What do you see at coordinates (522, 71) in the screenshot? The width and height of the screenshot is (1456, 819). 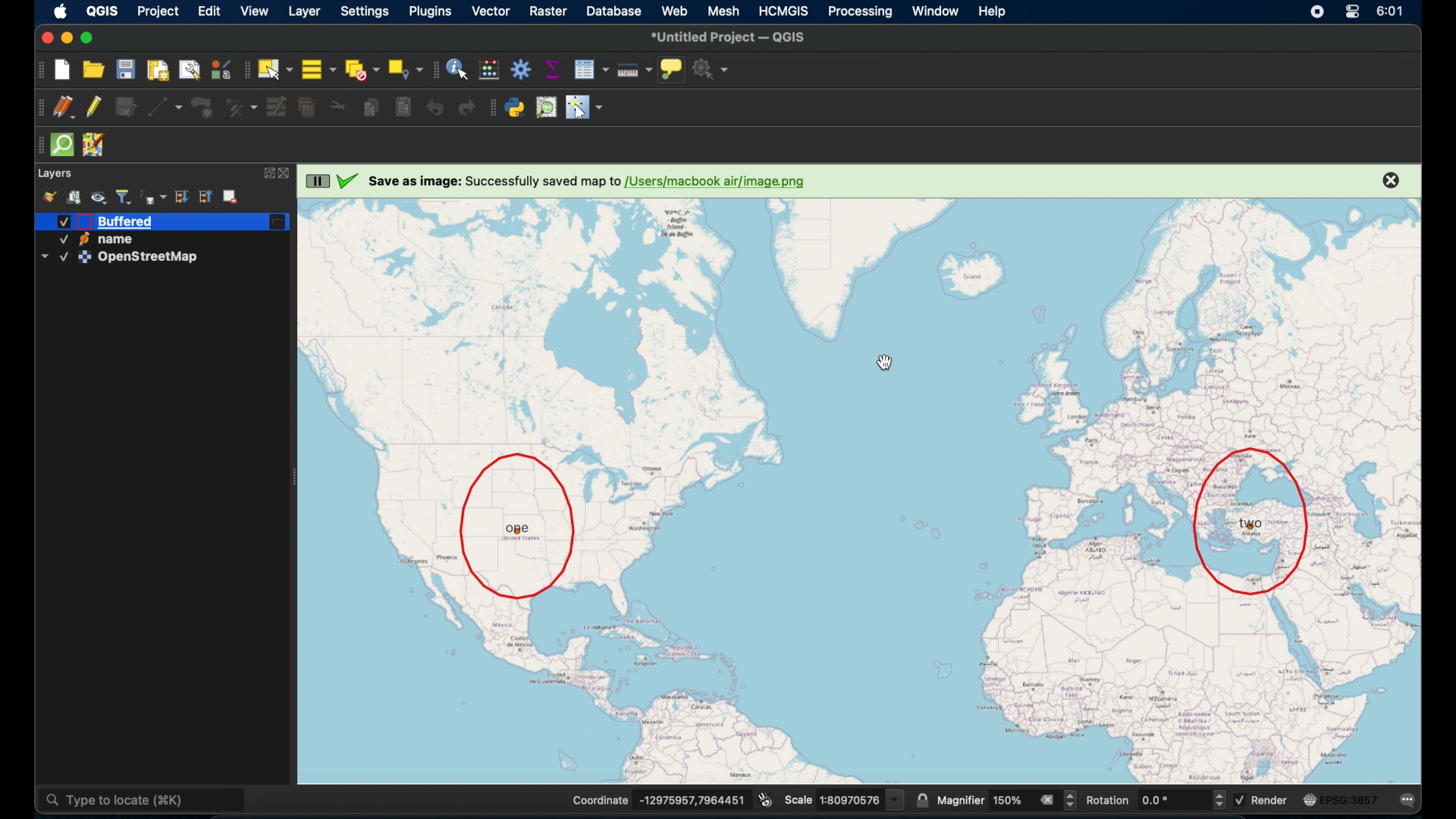 I see `toolbox` at bounding box center [522, 71].